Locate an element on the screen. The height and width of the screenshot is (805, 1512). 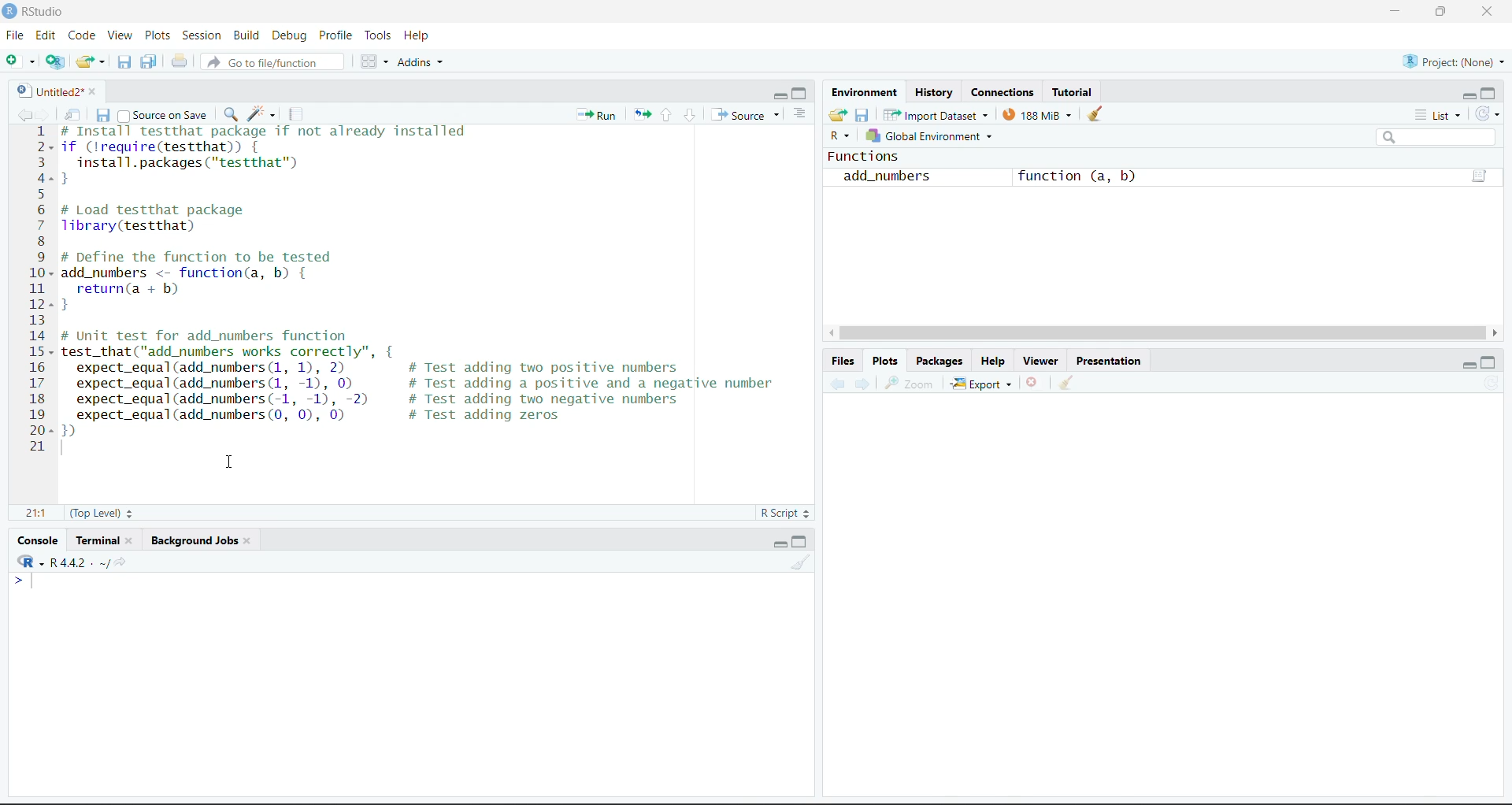
go to next session of the chunk is located at coordinates (691, 114).